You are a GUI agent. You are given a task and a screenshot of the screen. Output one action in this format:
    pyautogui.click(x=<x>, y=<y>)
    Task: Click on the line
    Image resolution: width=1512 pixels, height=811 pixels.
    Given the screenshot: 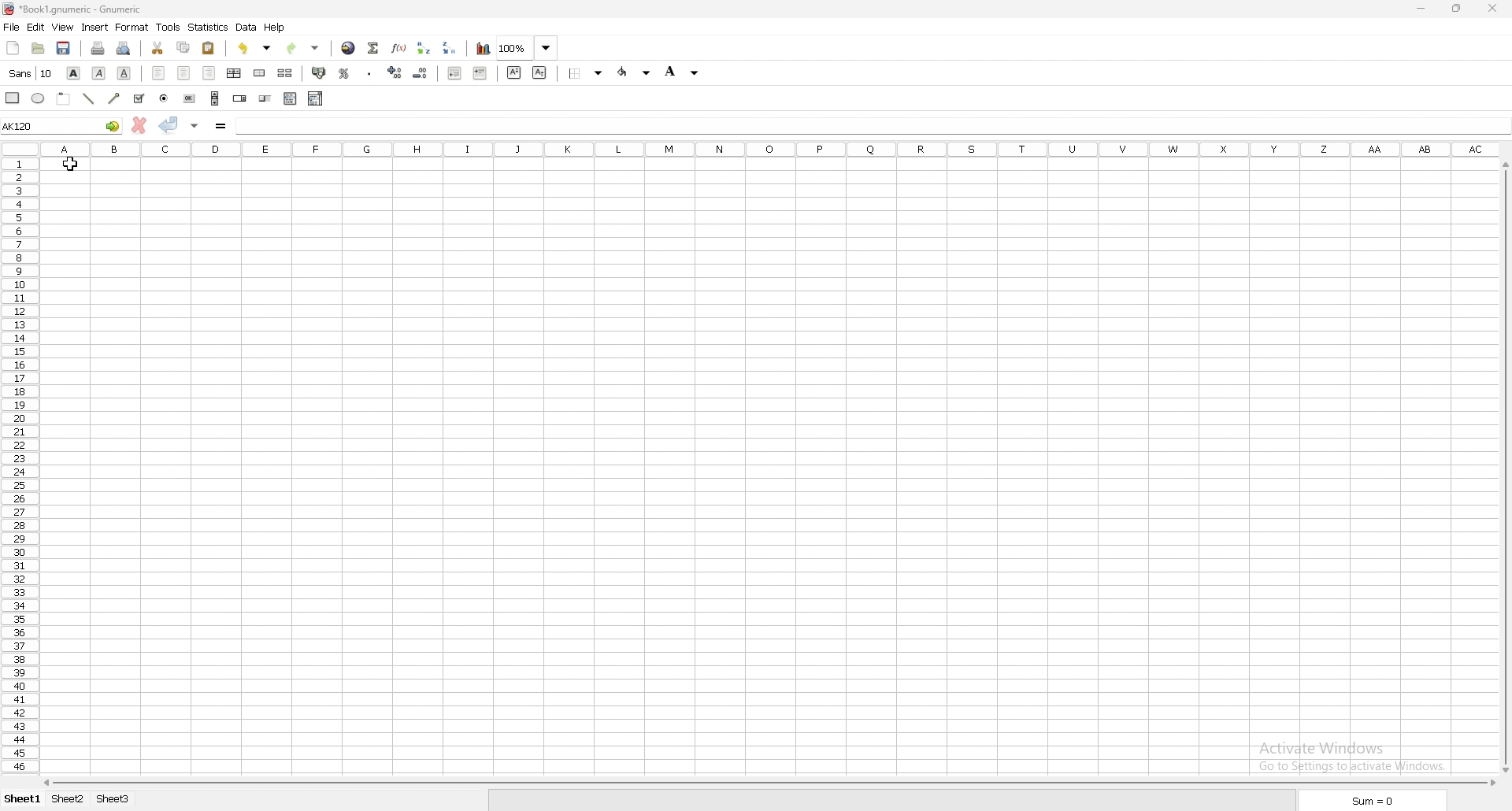 What is the action you would take?
    pyautogui.click(x=90, y=98)
    